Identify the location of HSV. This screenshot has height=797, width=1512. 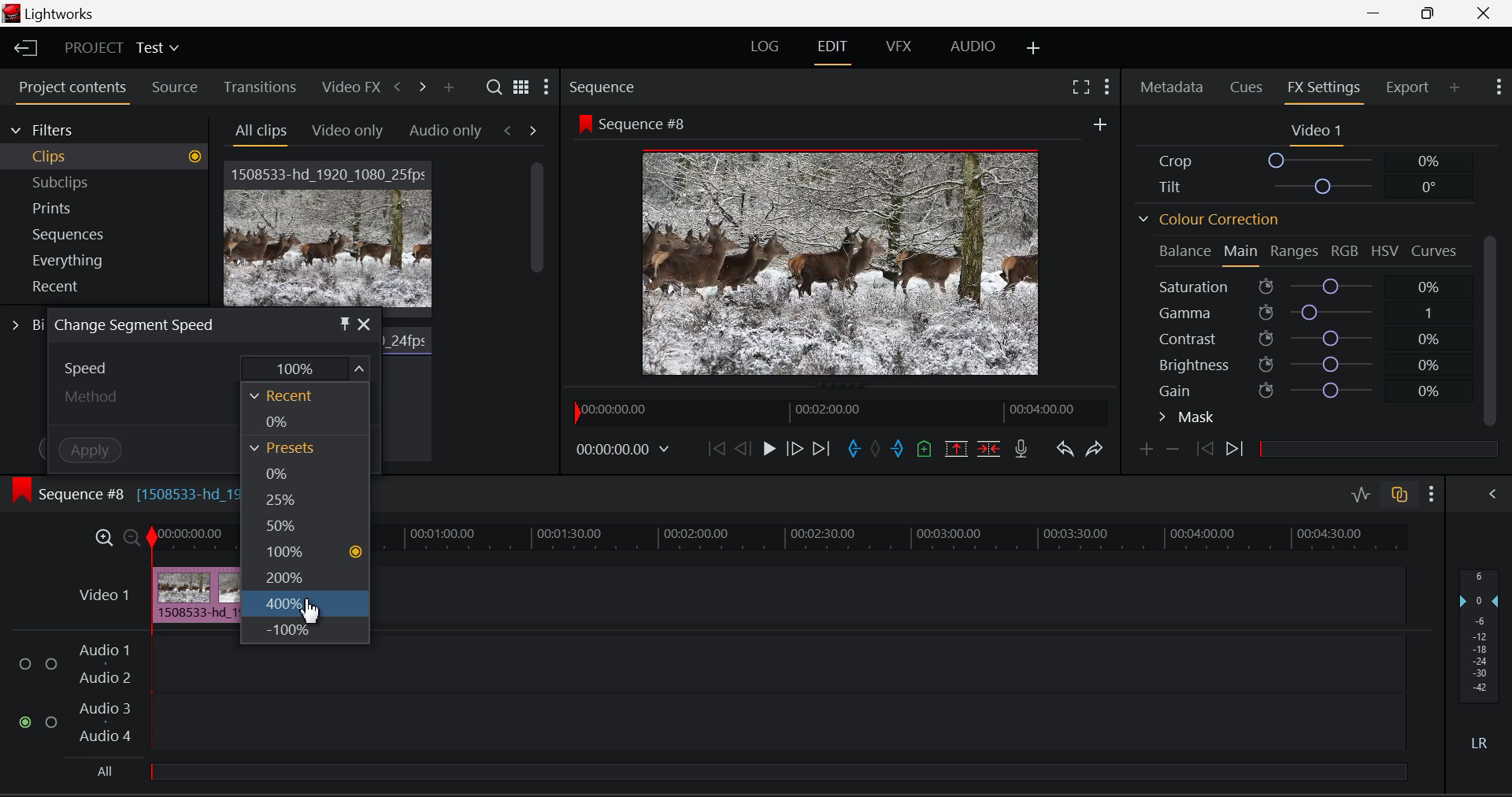
(1385, 252).